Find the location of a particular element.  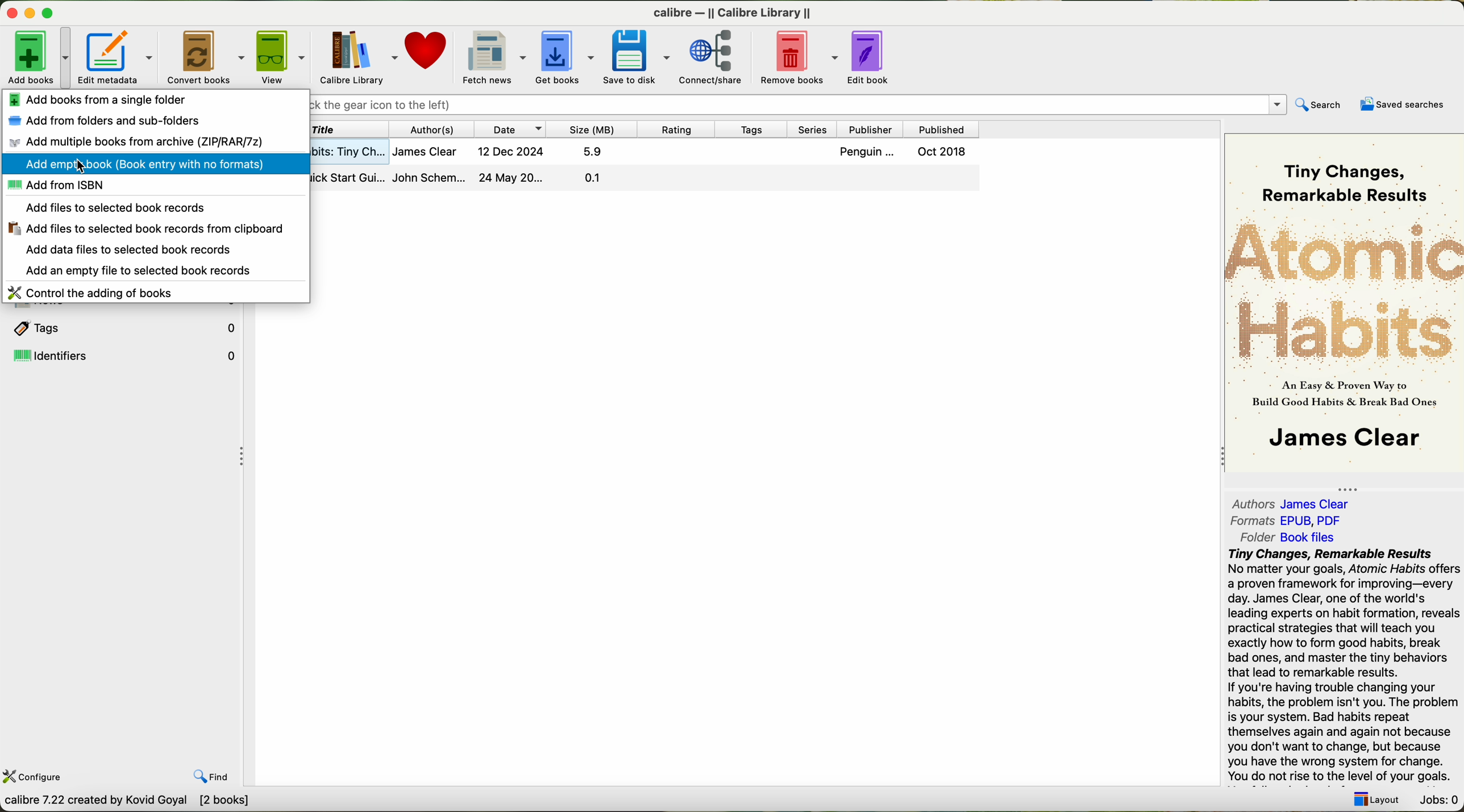

edit metadata is located at coordinates (117, 57).